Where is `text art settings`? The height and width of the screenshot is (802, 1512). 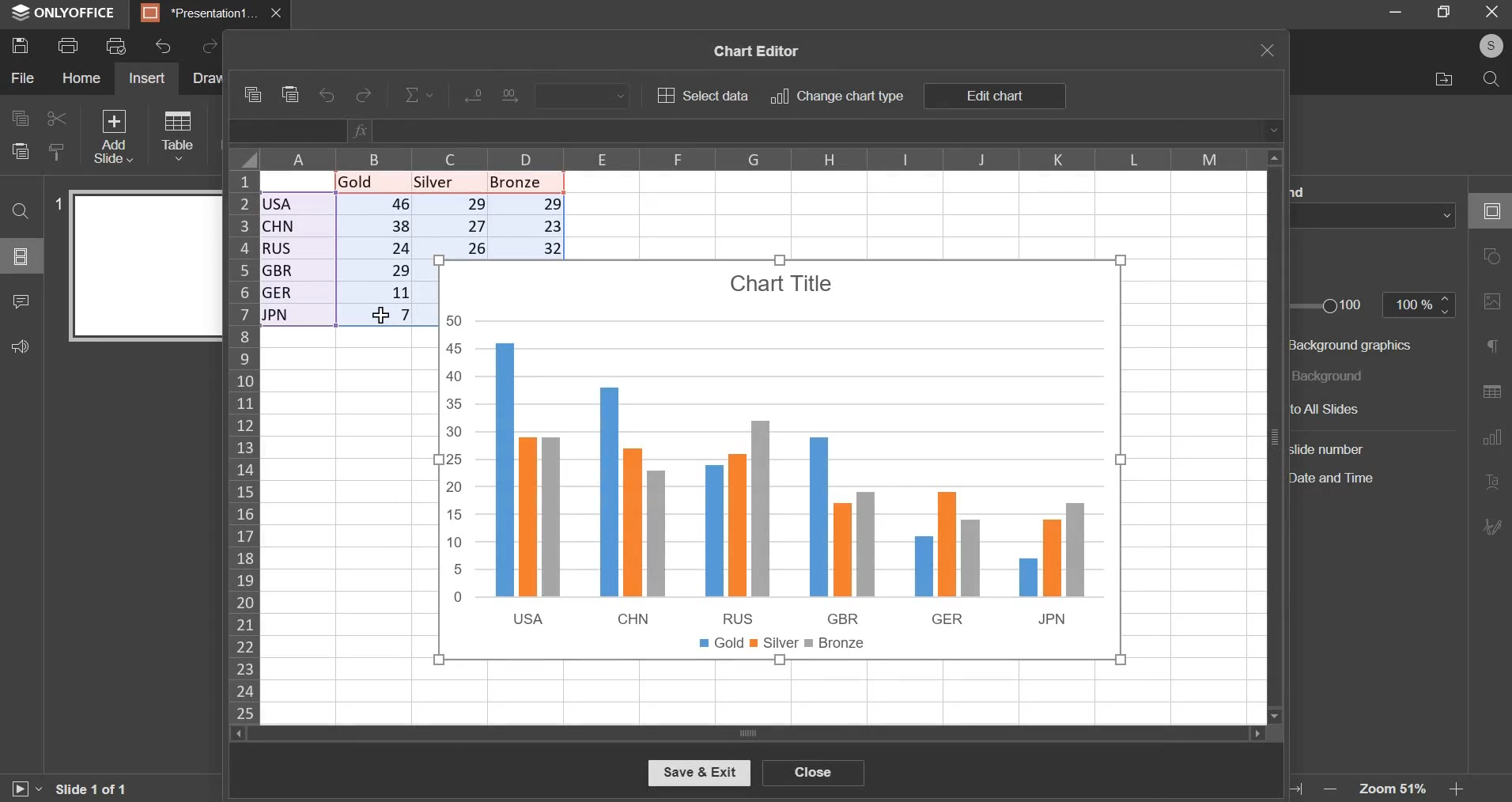 text art settings is located at coordinates (1490, 483).